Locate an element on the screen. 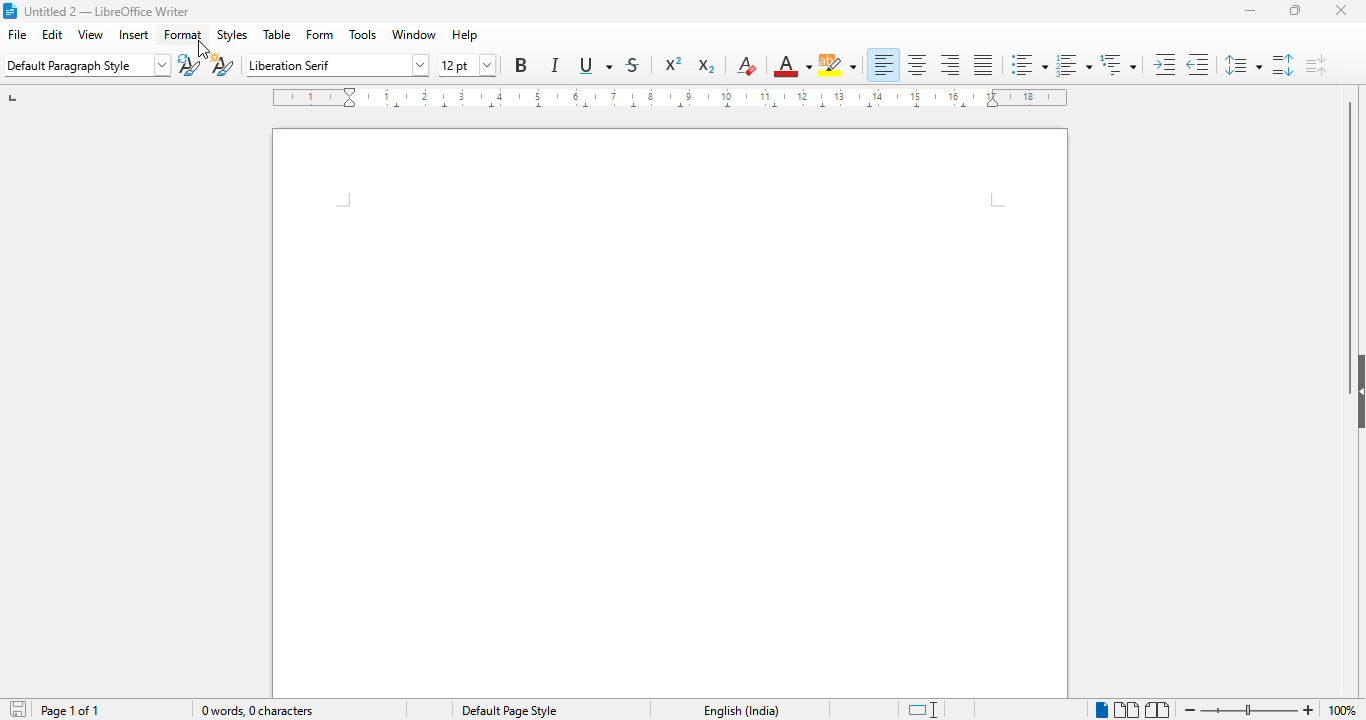 This screenshot has height=720, width=1366. multi-page view is located at coordinates (1126, 709).